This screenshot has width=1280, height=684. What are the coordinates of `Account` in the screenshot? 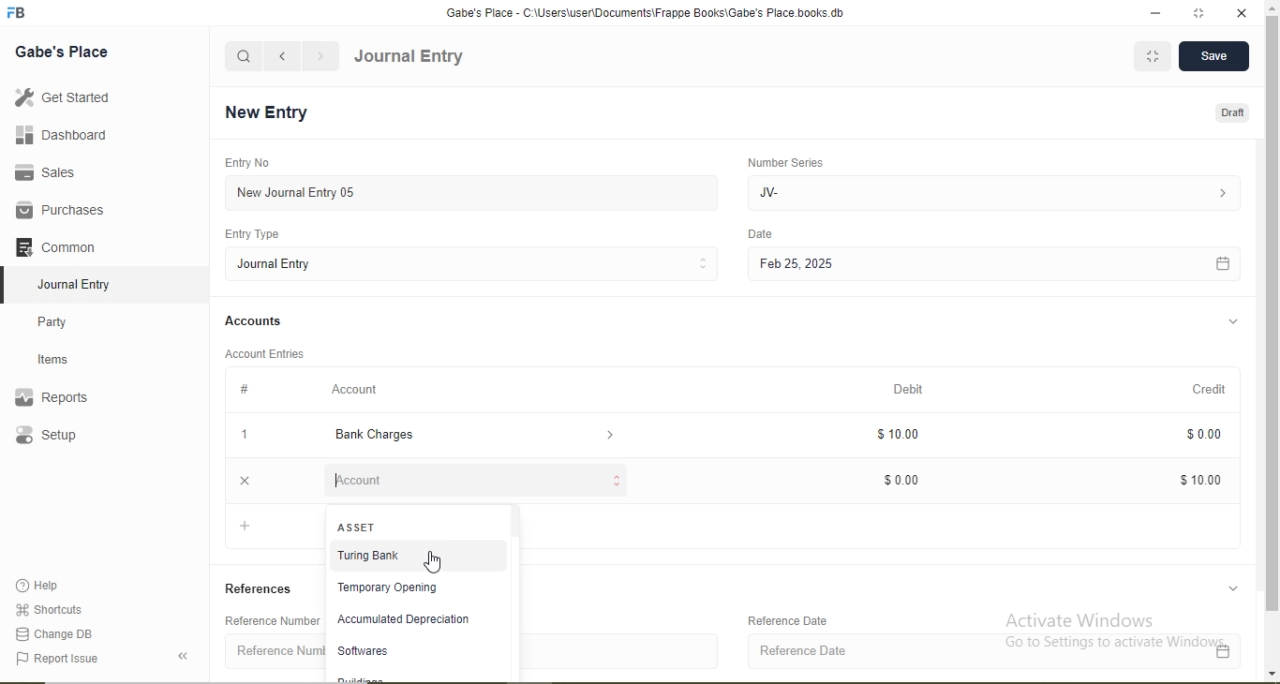 It's located at (357, 389).